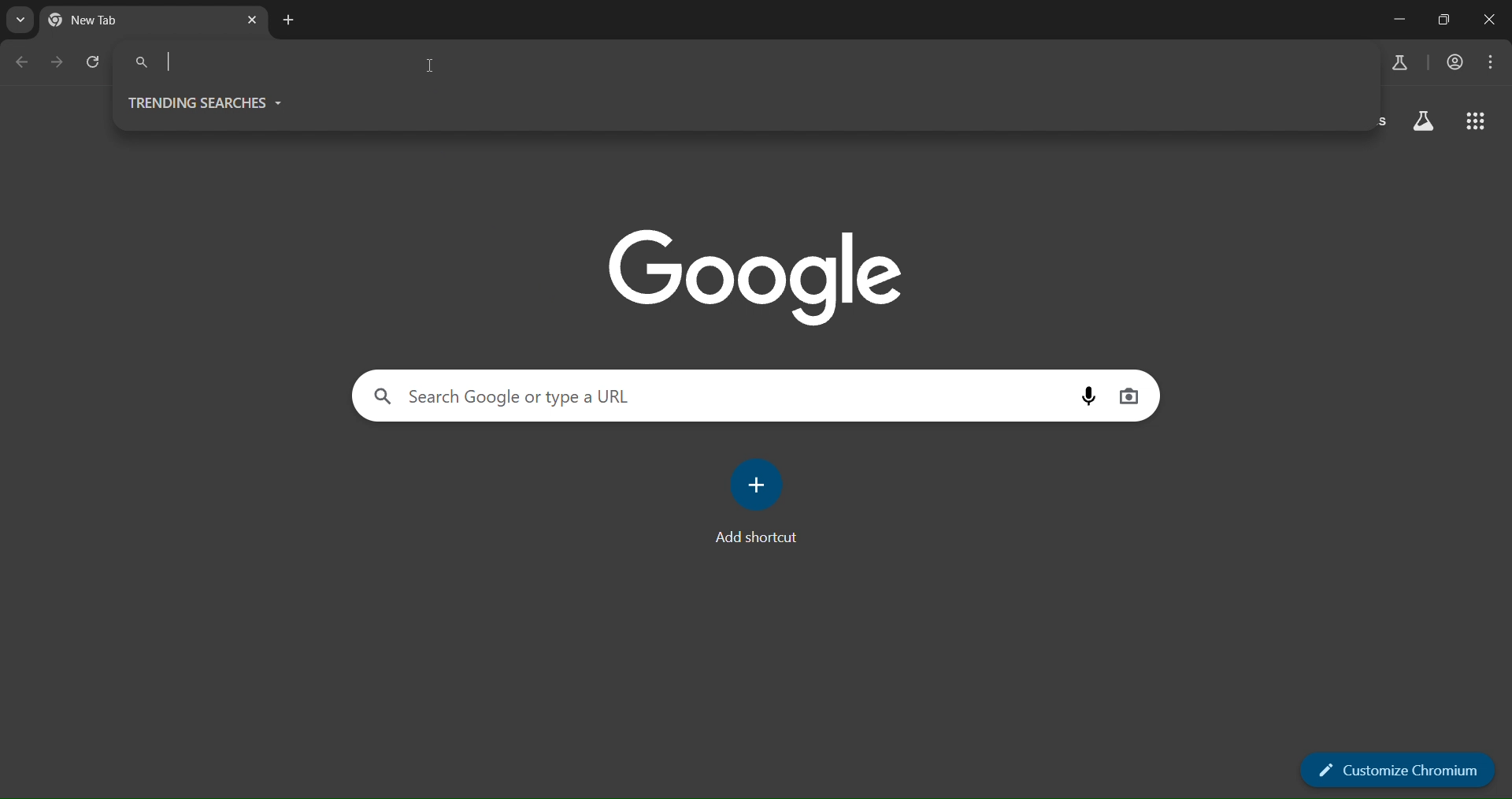 This screenshot has width=1512, height=799. Describe the element at coordinates (1492, 19) in the screenshot. I see `close` at that location.